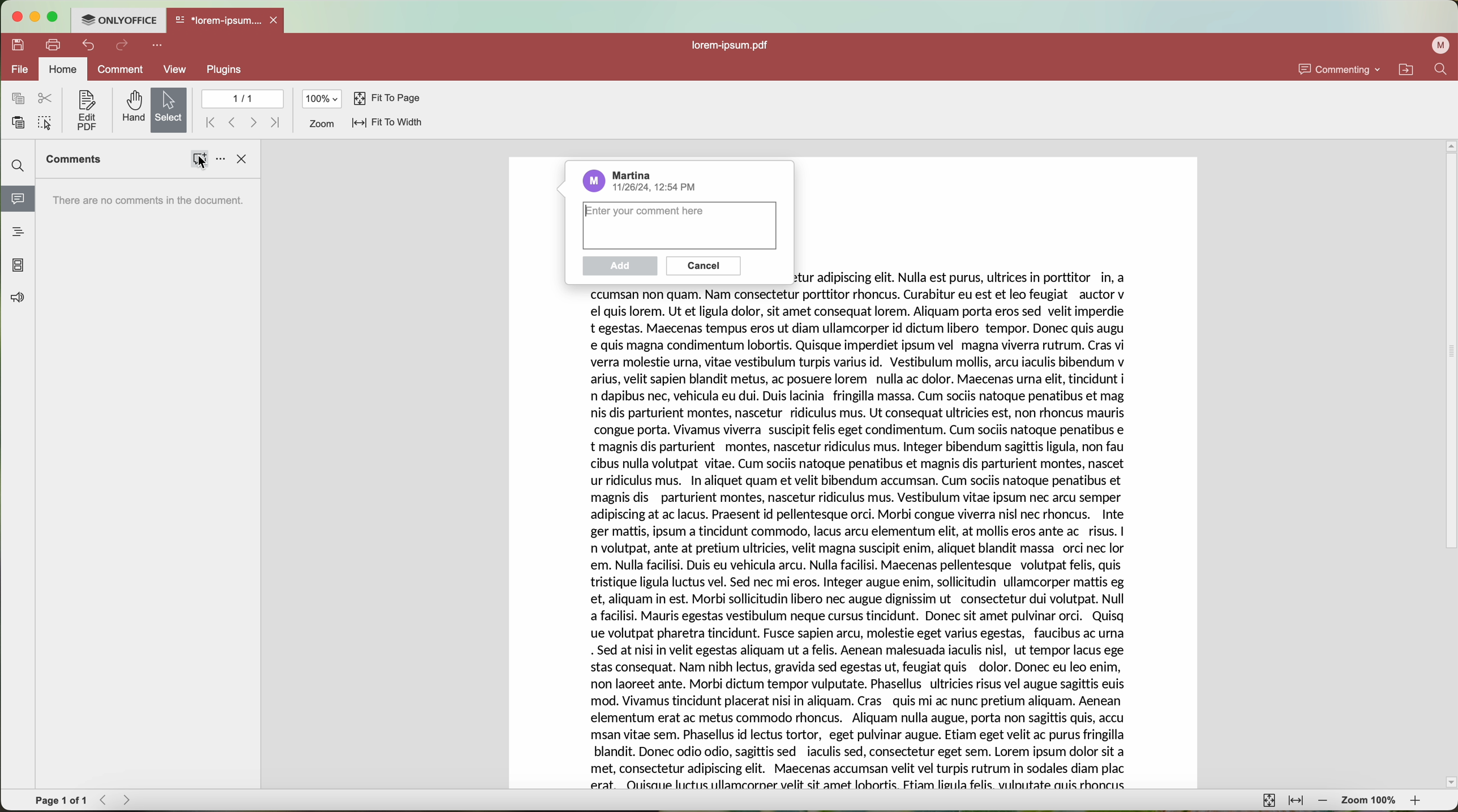  What do you see at coordinates (45, 124) in the screenshot?
I see `select all` at bounding box center [45, 124].